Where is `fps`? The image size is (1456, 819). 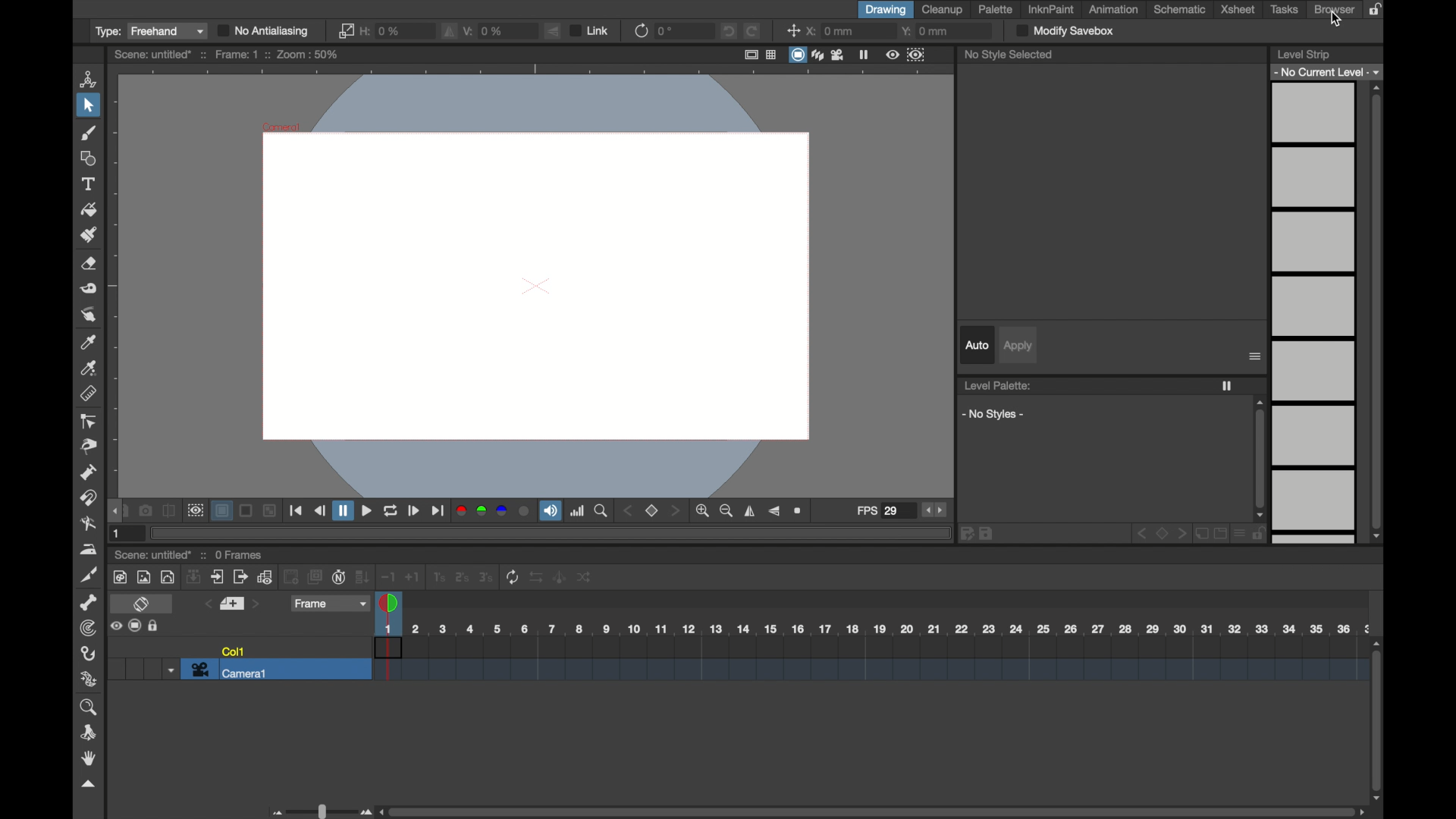
fps is located at coordinates (877, 511).